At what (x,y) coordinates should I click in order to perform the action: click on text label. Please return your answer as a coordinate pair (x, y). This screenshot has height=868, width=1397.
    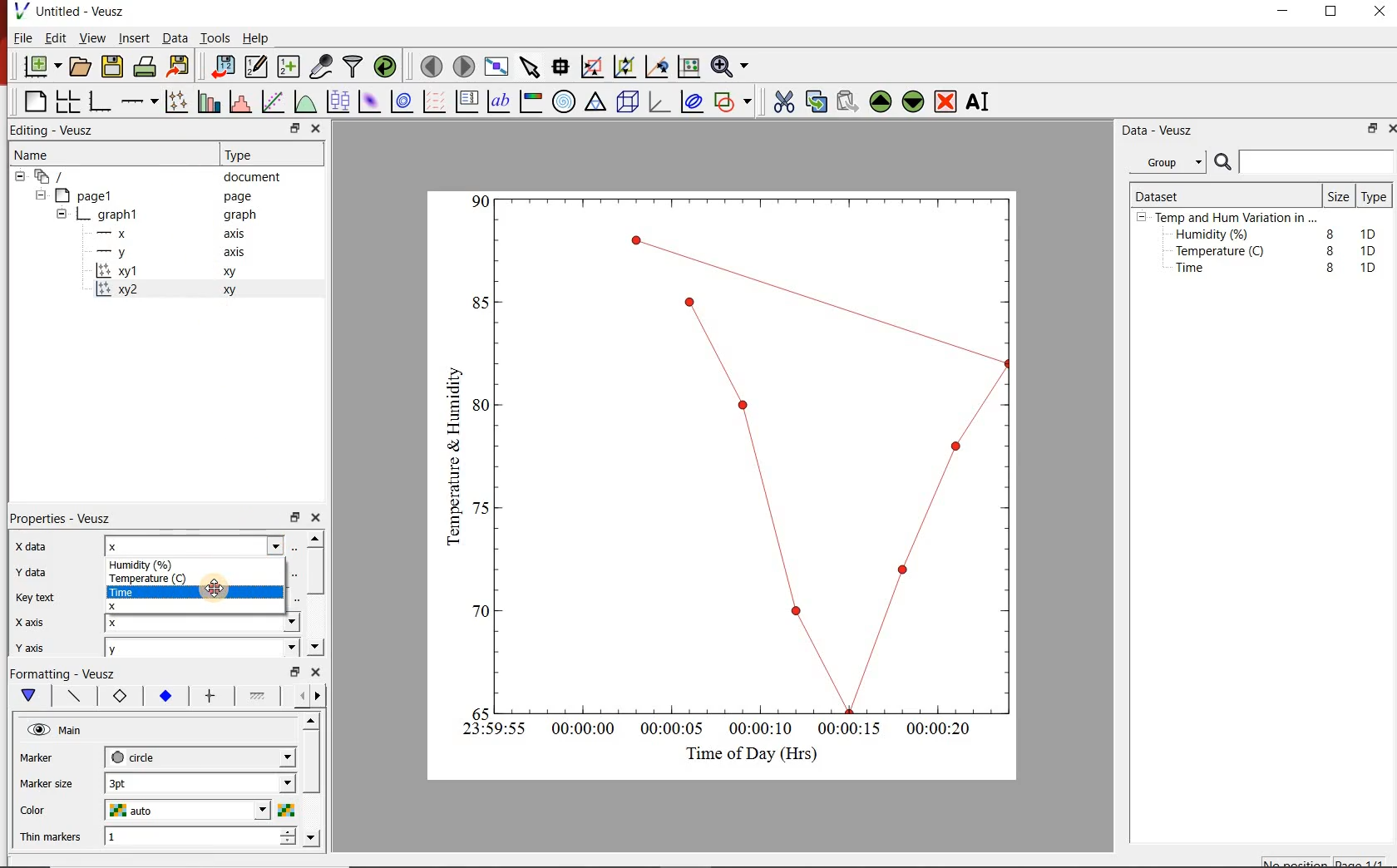
    Looking at the image, I should click on (502, 101).